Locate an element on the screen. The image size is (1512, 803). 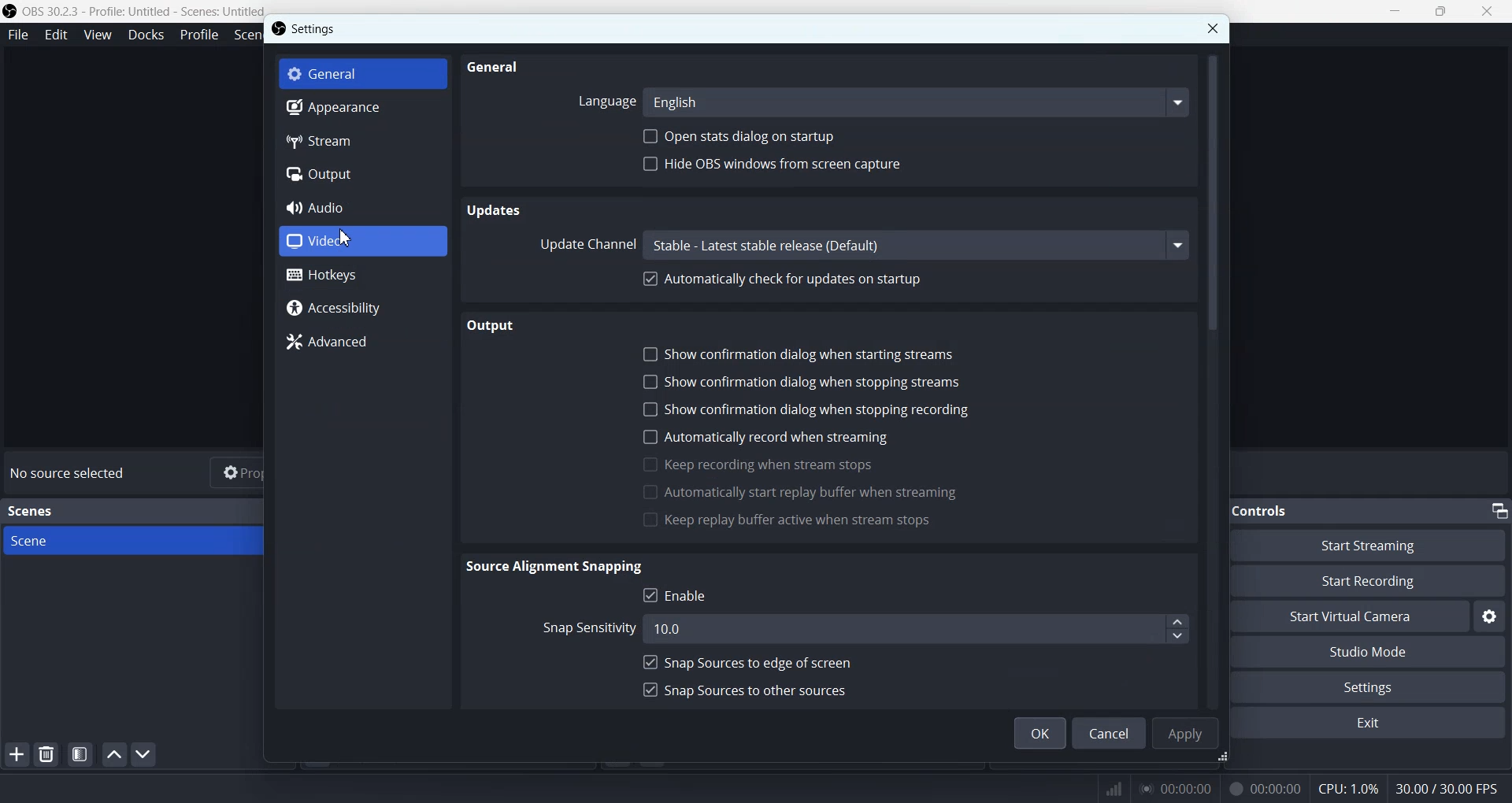
Remove selected scene is located at coordinates (46, 753).